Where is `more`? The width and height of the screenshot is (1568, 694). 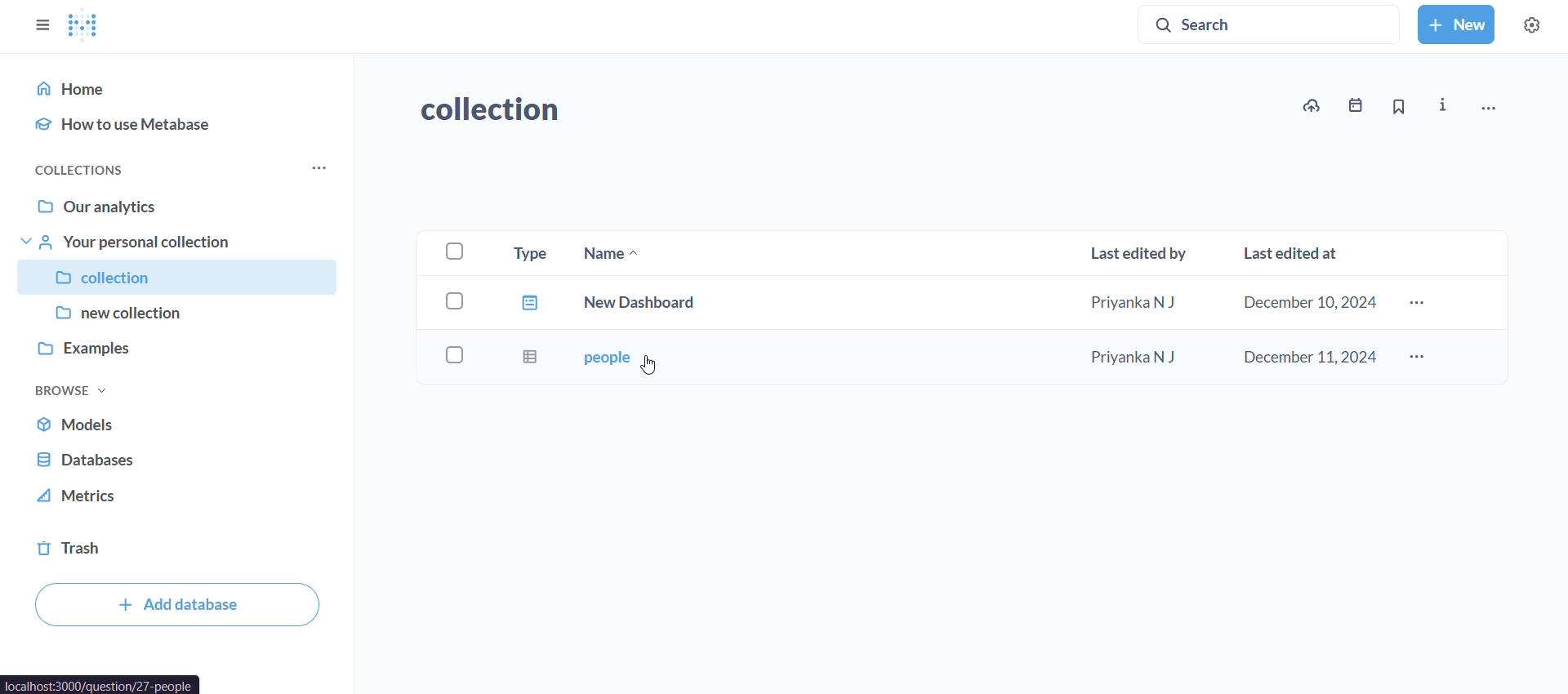
more is located at coordinates (321, 170).